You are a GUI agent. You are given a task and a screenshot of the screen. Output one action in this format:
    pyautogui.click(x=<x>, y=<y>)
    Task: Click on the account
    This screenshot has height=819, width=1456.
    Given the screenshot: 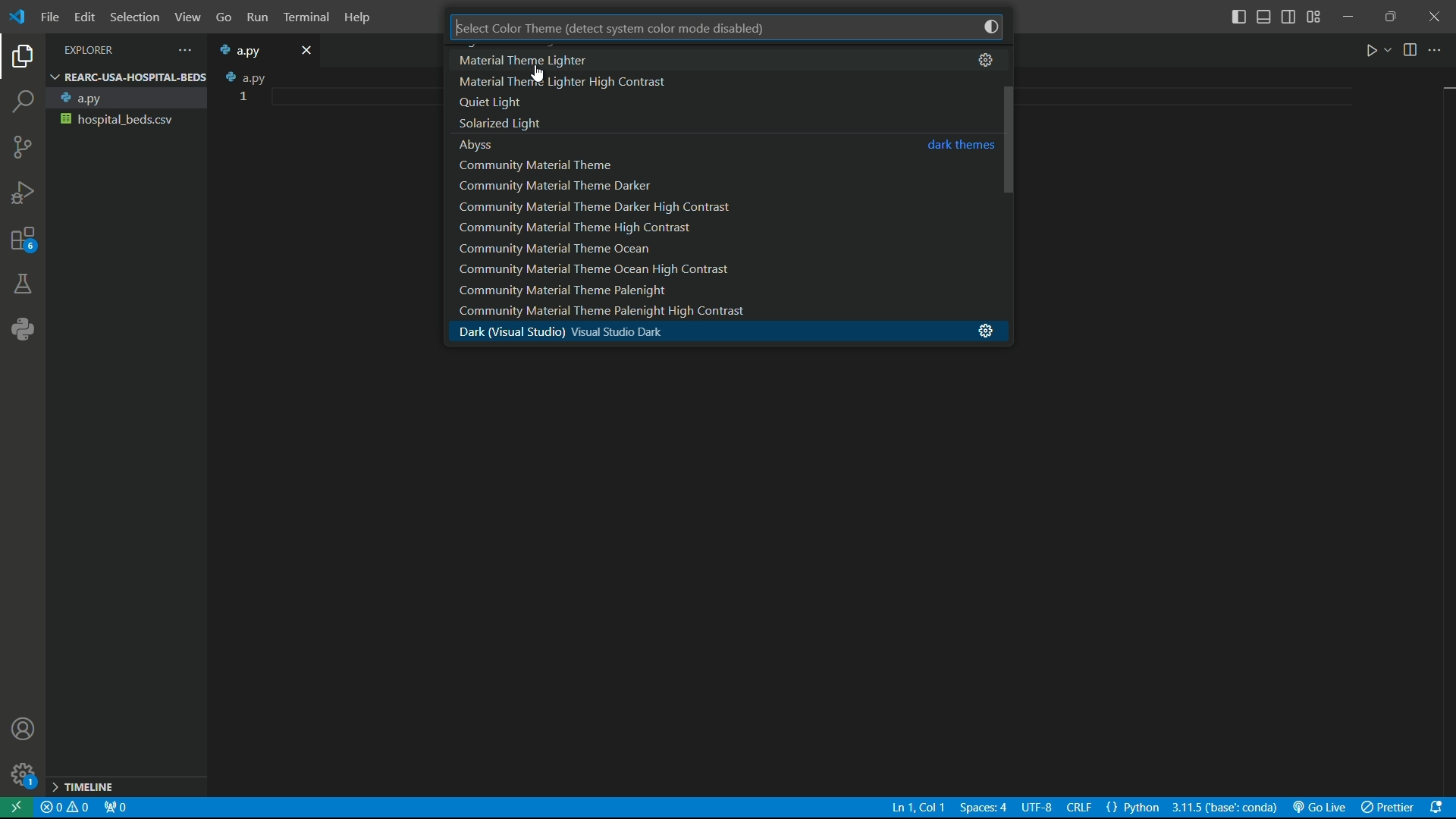 What is the action you would take?
    pyautogui.click(x=25, y=731)
    